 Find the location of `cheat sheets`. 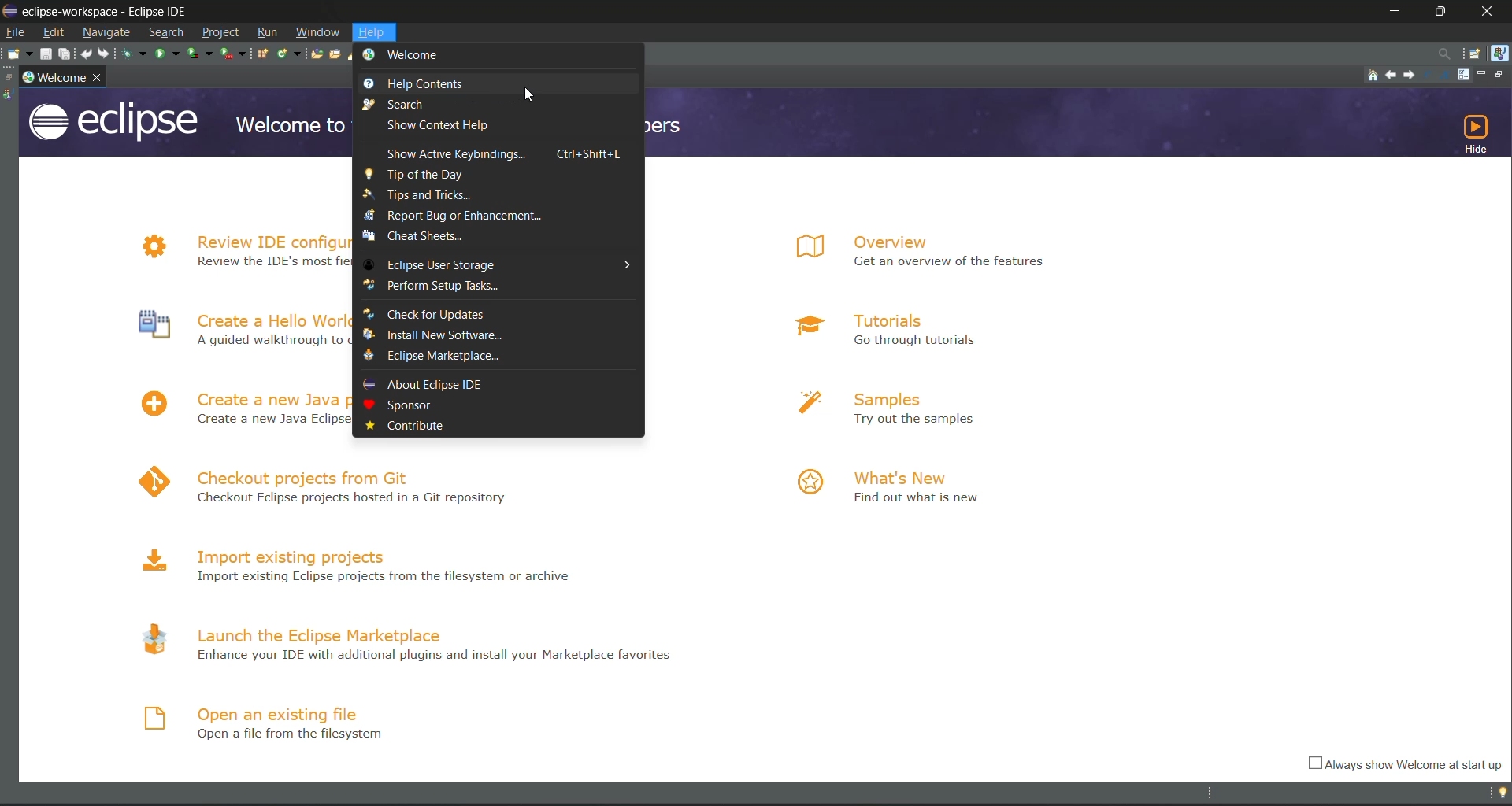

cheat sheets is located at coordinates (419, 235).